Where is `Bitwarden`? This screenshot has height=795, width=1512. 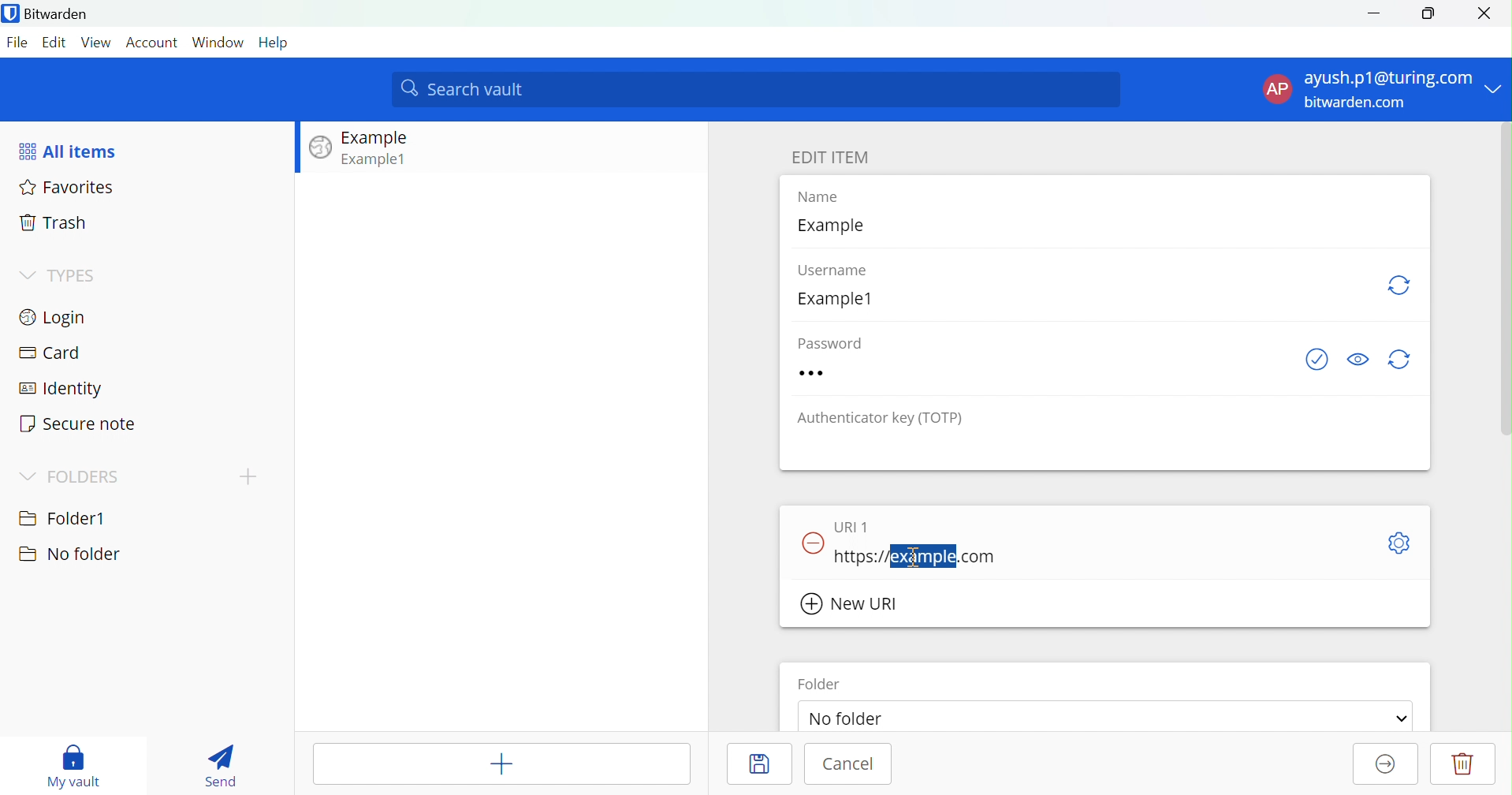
Bitwarden is located at coordinates (50, 15).